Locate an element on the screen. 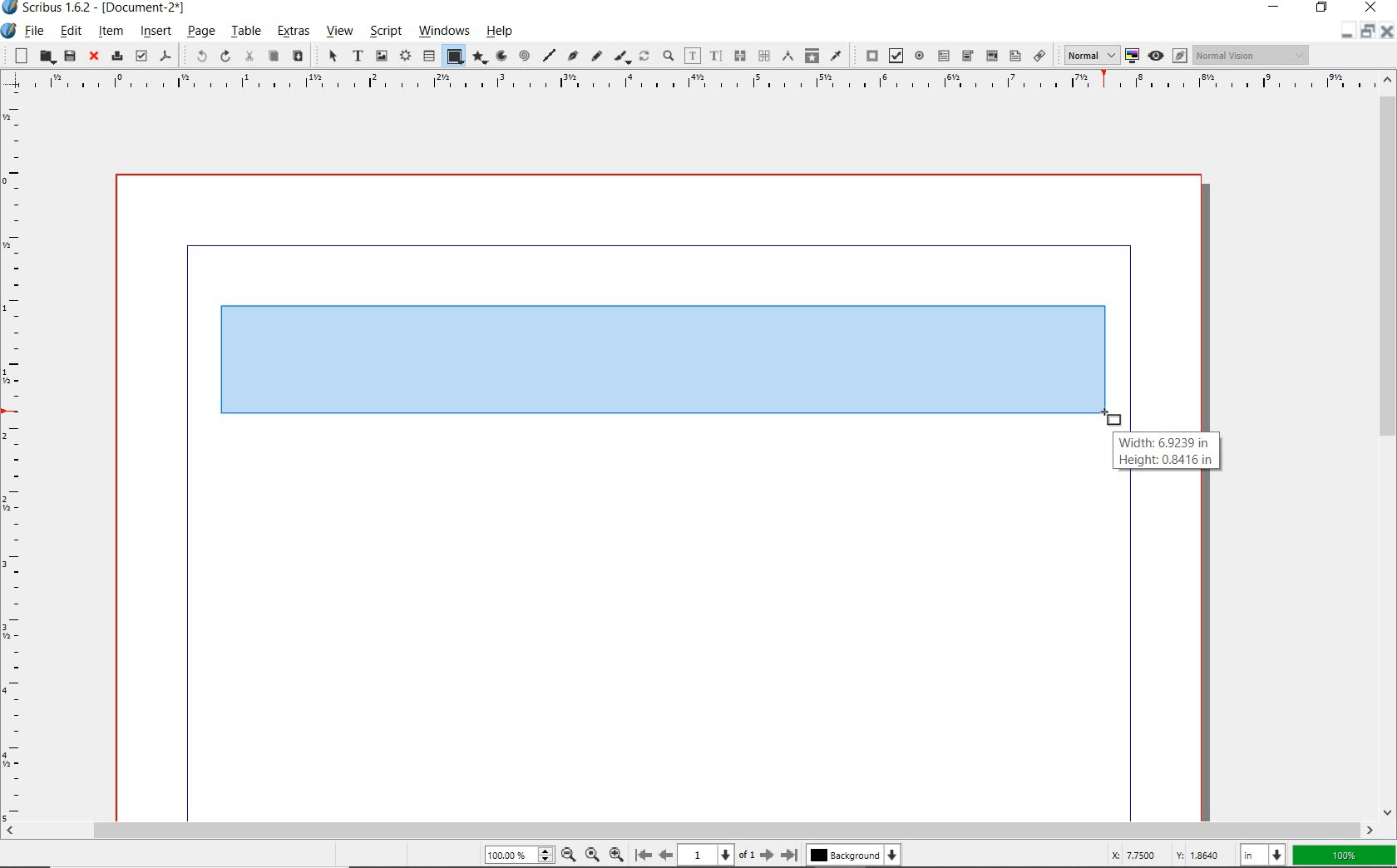 This screenshot has height=868, width=1397. select image preview quality is located at coordinates (1086, 55).